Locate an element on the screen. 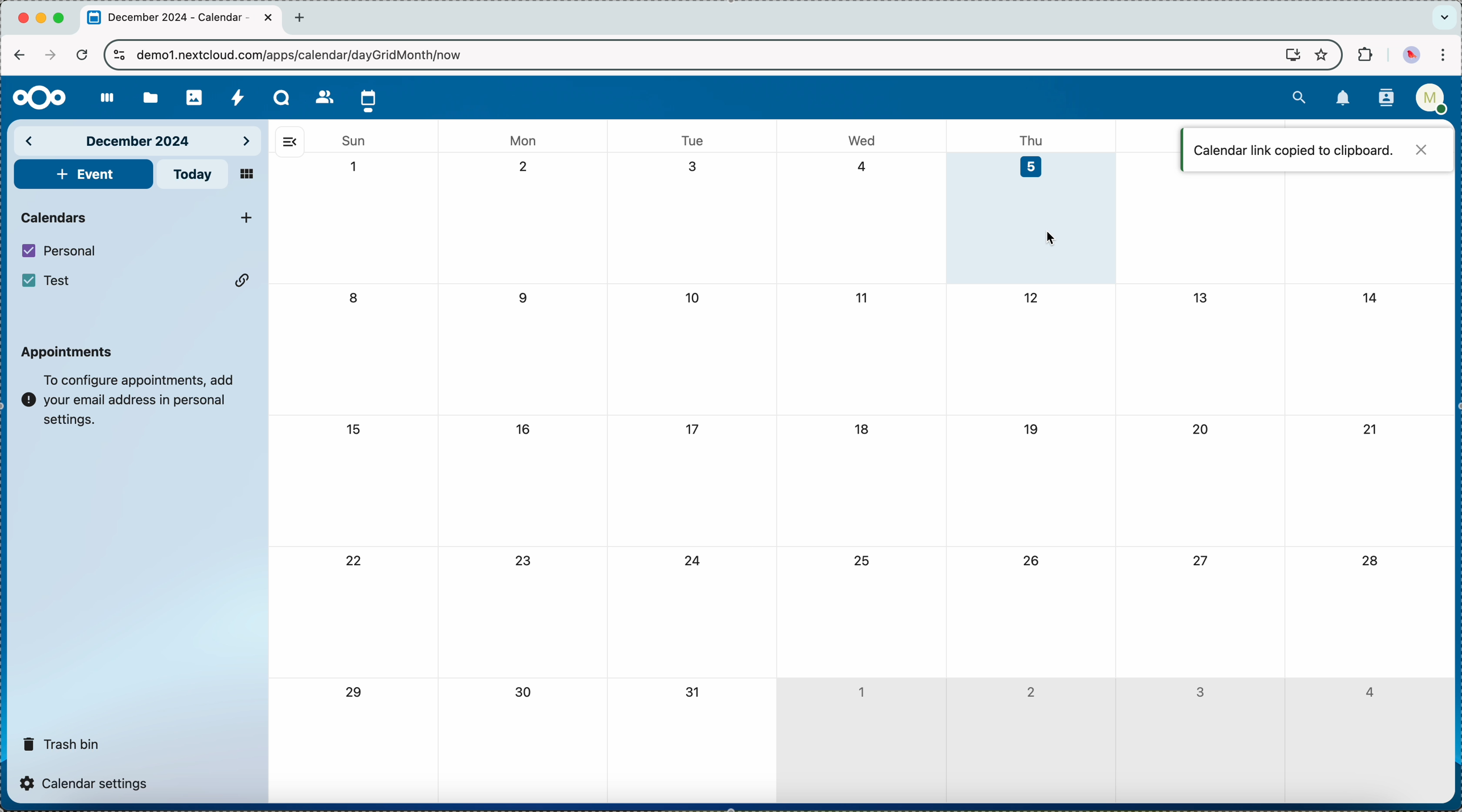 Image resolution: width=1462 pixels, height=812 pixels. 4 is located at coordinates (1368, 692).